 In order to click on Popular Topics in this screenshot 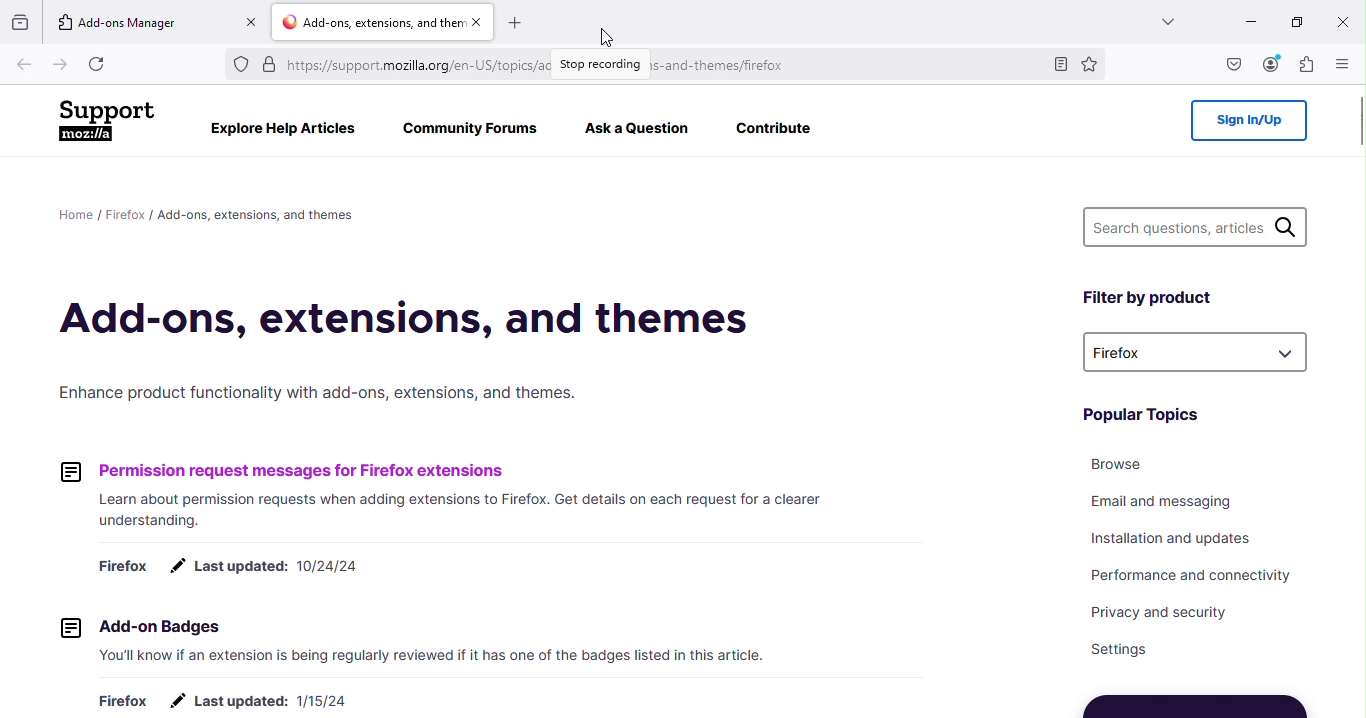, I will do `click(1134, 416)`.